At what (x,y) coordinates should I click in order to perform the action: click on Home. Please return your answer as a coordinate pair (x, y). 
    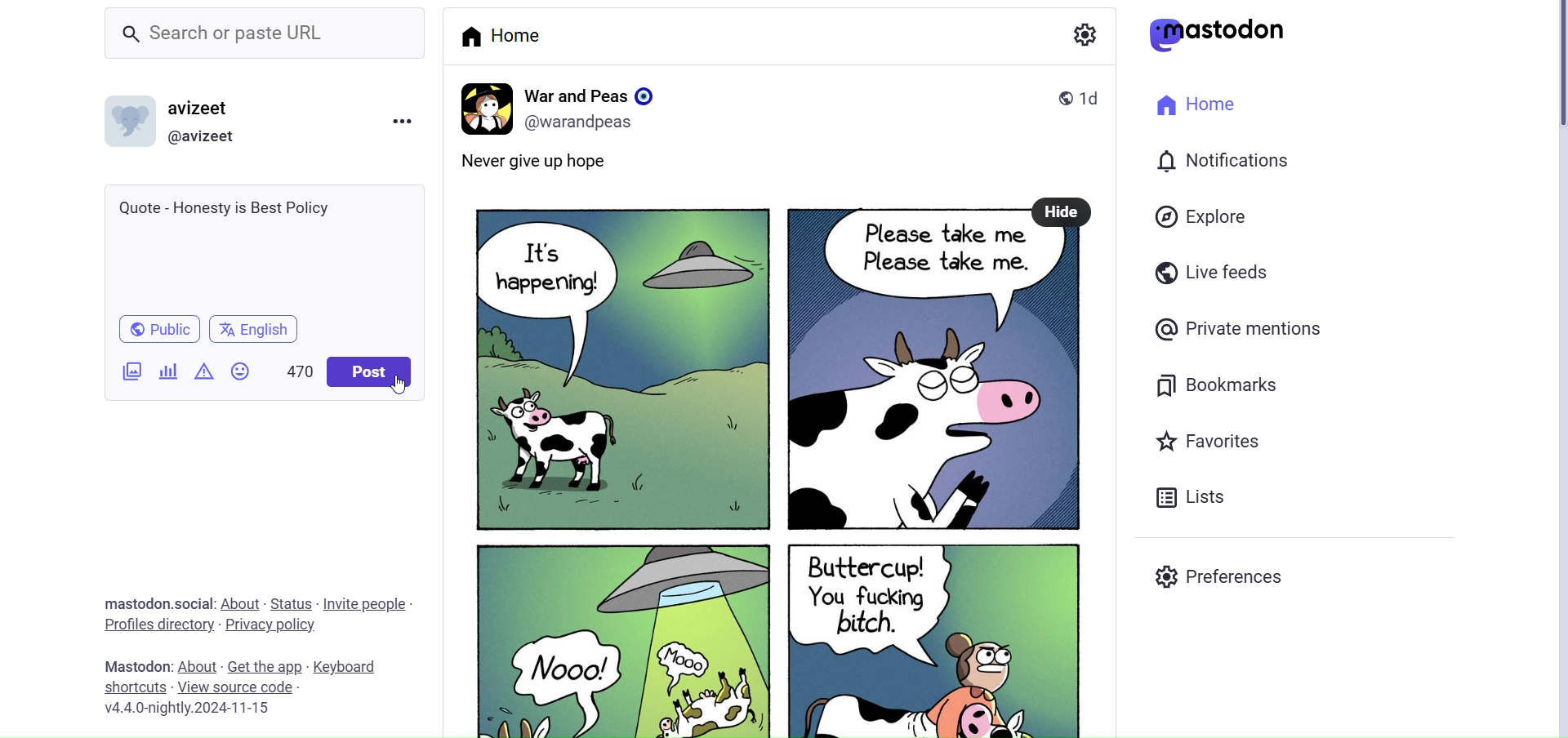
    Looking at the image, I should click on (1196, 105).